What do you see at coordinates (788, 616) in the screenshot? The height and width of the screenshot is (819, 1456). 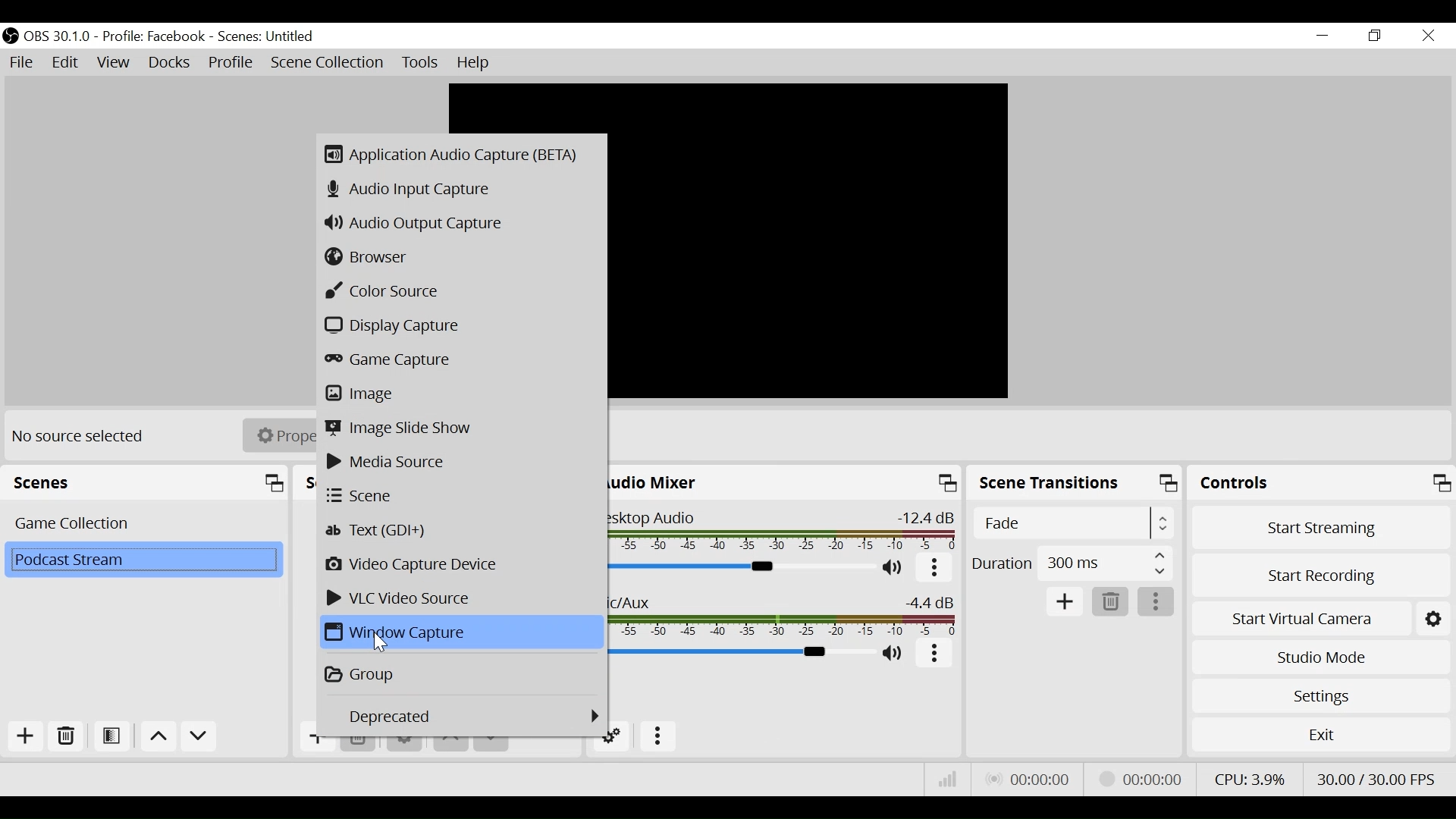 I see `Mic/Aux` at bounding box center [788, 616].